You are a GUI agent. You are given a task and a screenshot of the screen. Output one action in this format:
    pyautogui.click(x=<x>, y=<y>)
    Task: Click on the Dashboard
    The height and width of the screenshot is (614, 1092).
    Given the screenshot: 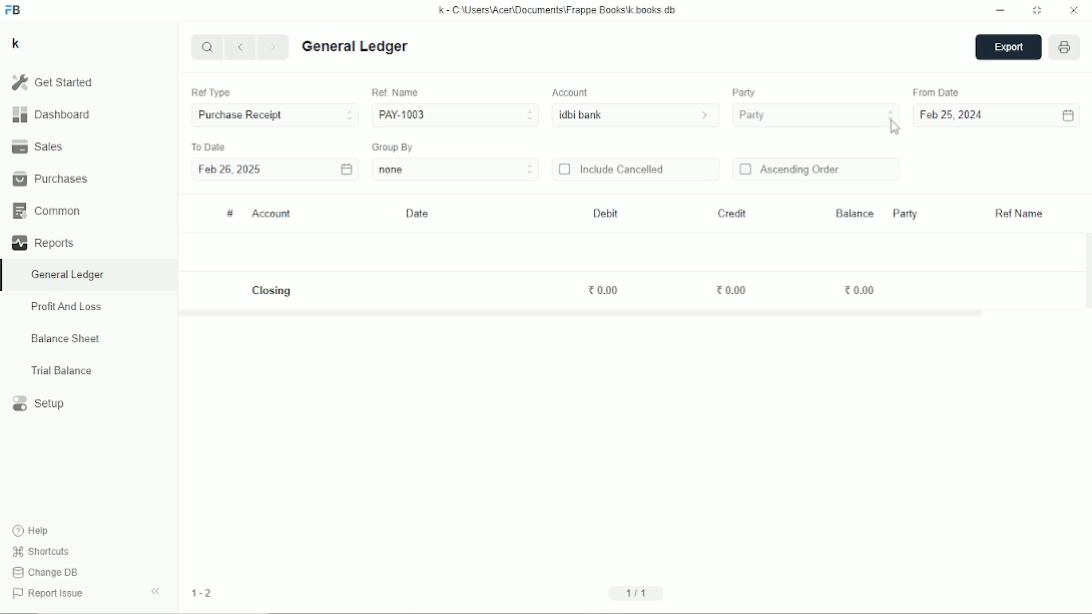 What is the action you would take?
    pyautogui.click(x=51, y=114)
    